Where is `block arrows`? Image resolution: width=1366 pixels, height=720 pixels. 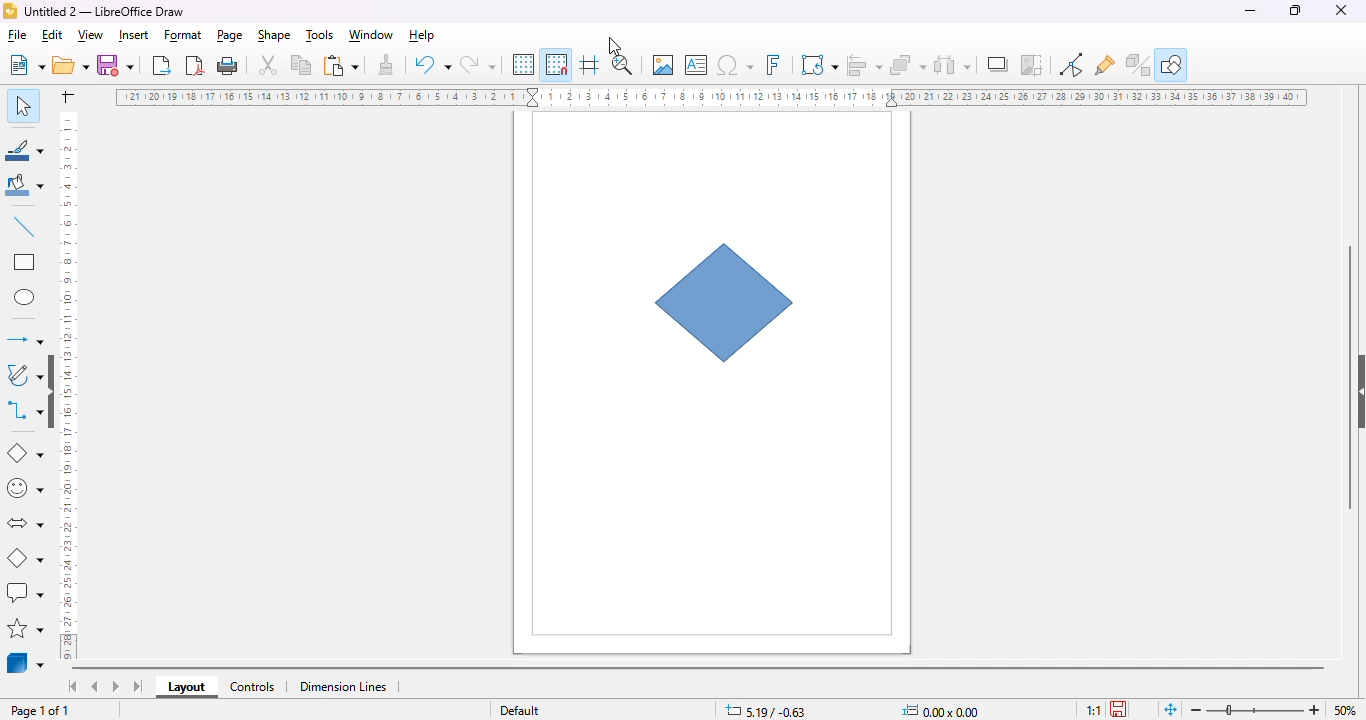
block arrows is located at coordinates (24, 523).